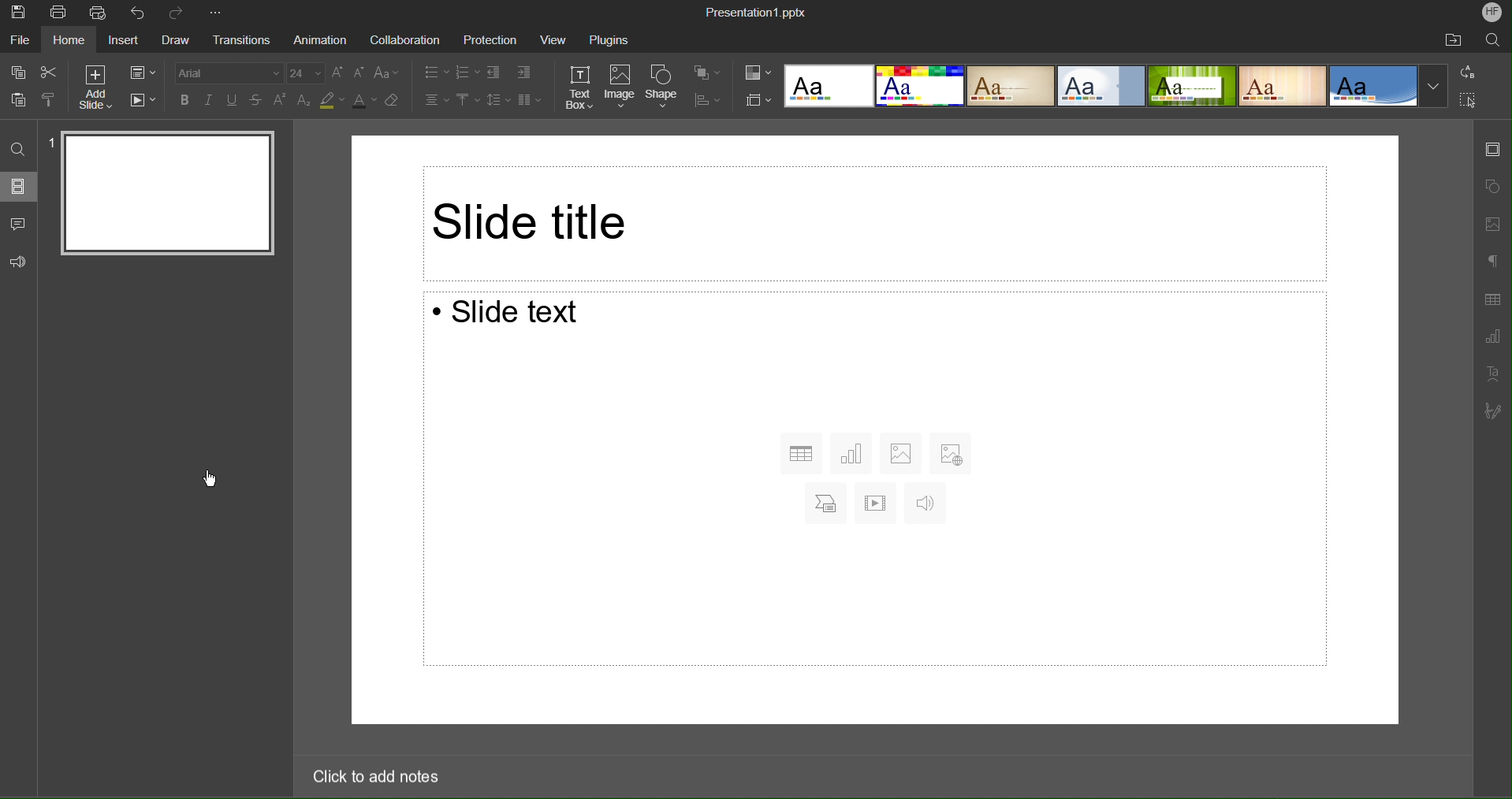  What do you see at coordinates (1494, 224) in the screenshot?
I see `Image Settings` at bounding box center [1494, 224].